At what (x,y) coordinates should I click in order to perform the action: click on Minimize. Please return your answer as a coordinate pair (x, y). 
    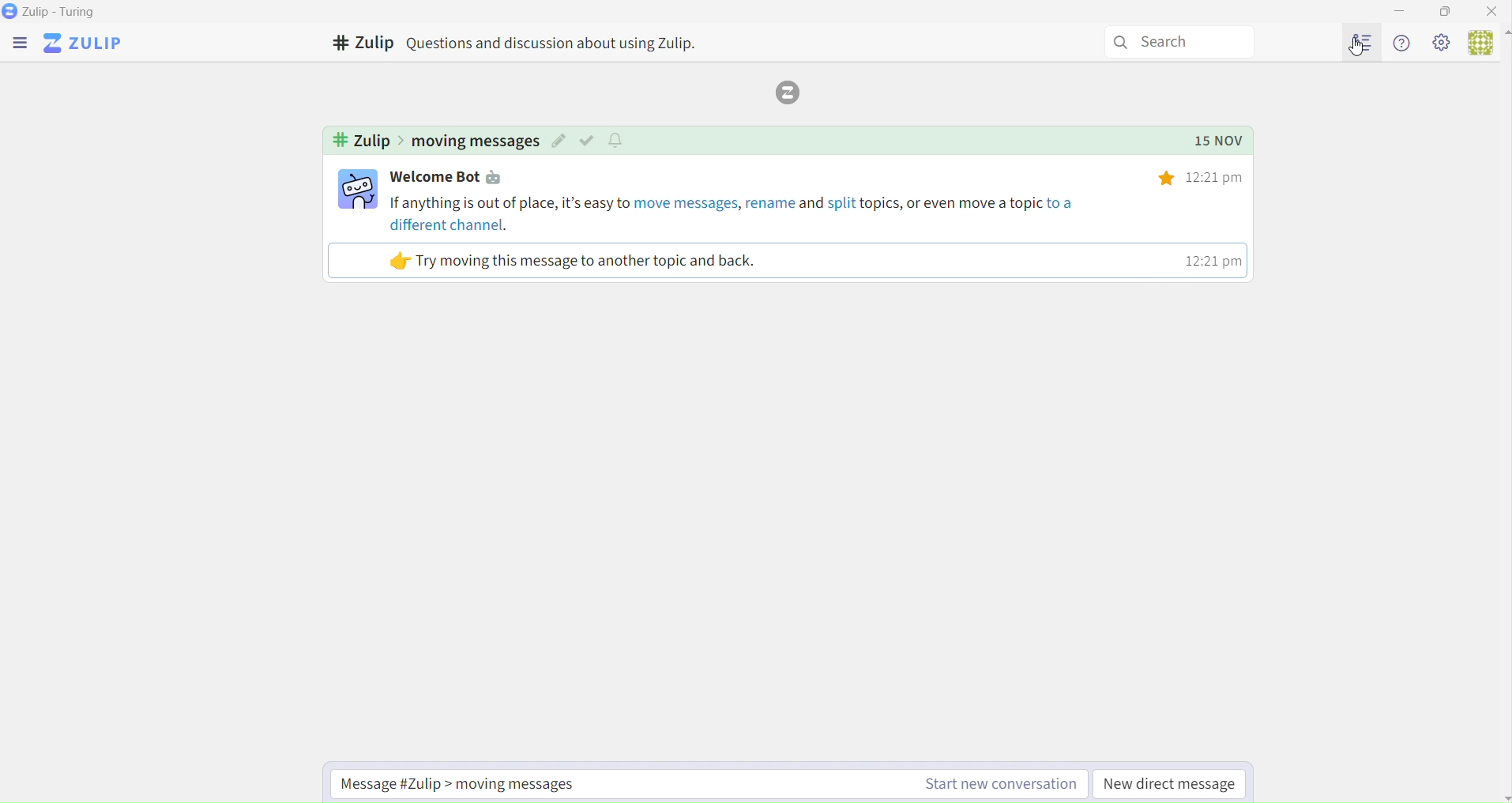
    Looking at the image, I should click on (1397, 9).